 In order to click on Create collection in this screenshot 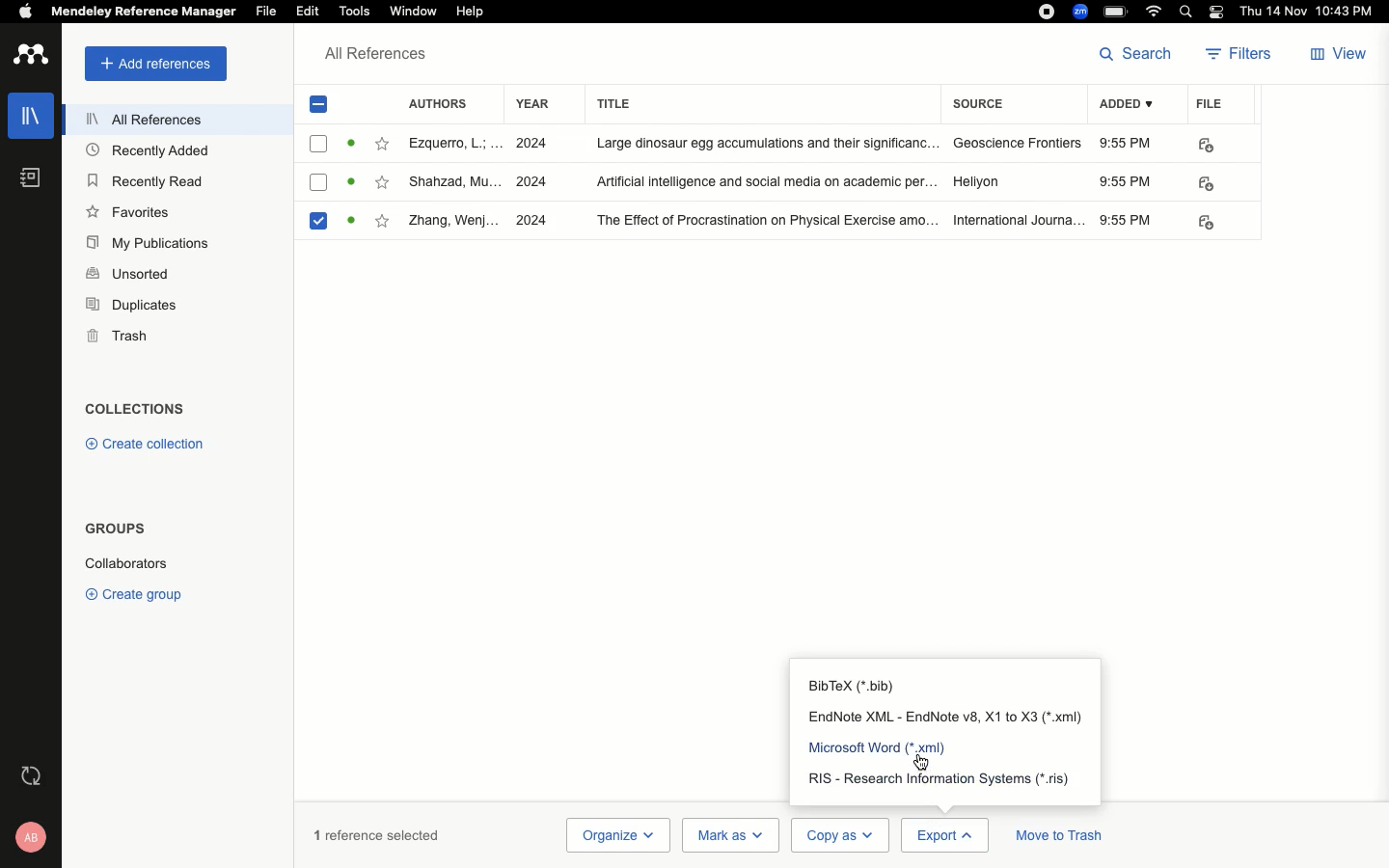, I will do `click(142, 444)`.